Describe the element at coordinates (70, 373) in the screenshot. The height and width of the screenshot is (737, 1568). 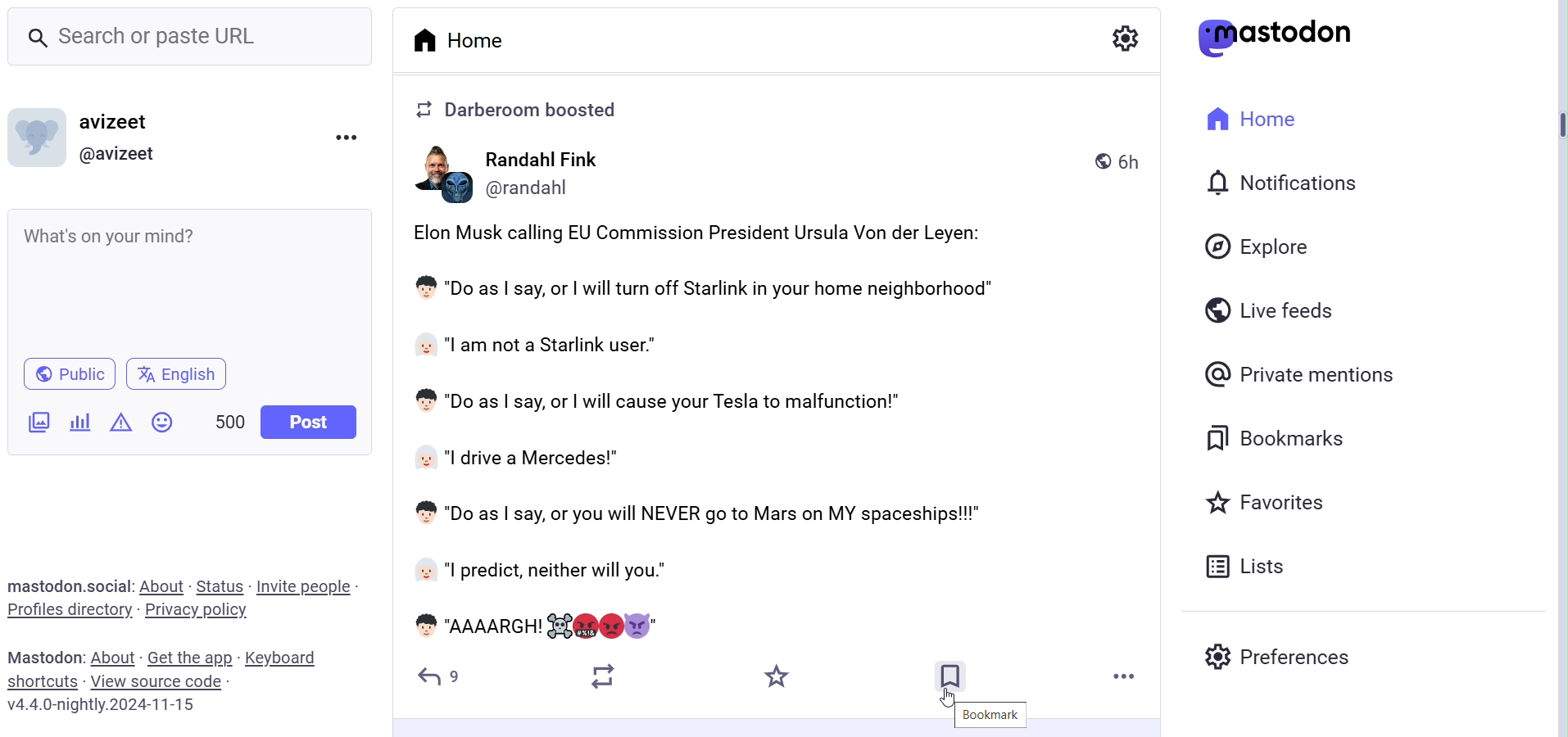
I see `Public` at that location.